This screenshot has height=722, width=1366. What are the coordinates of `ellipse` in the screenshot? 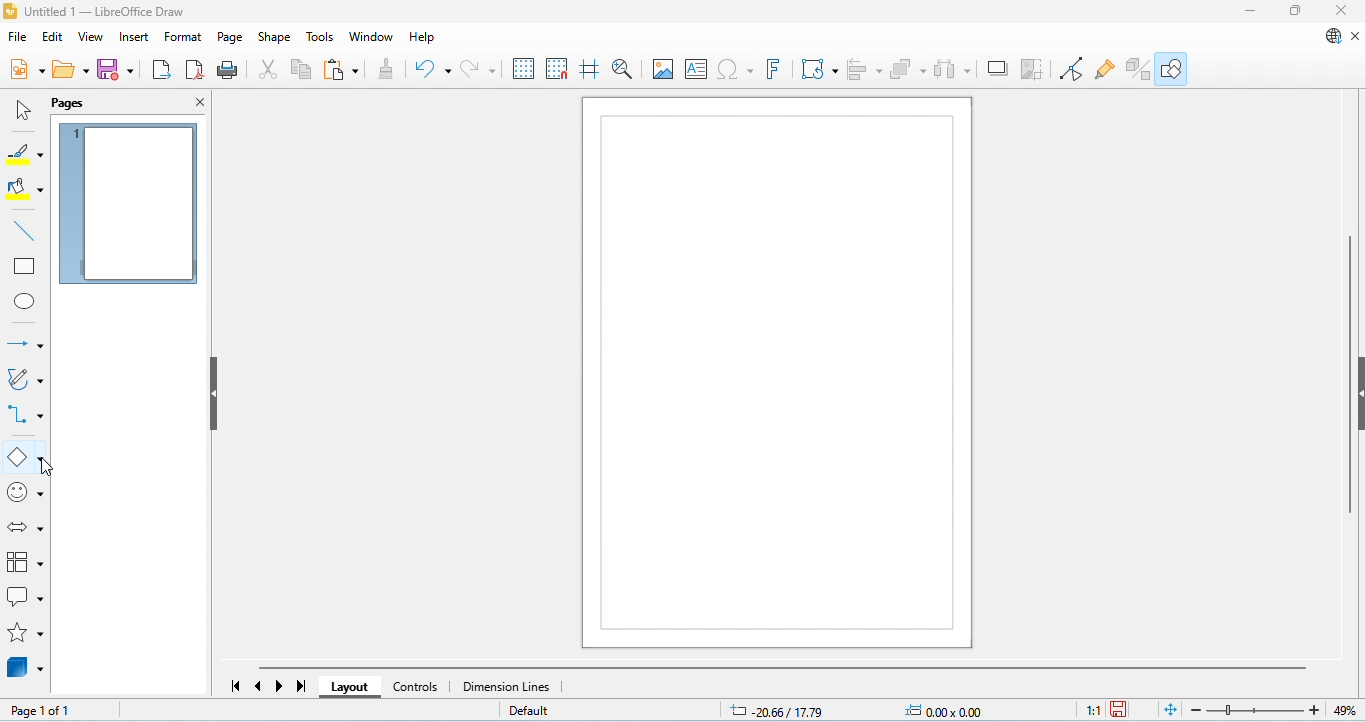 It's located at (25, 301).